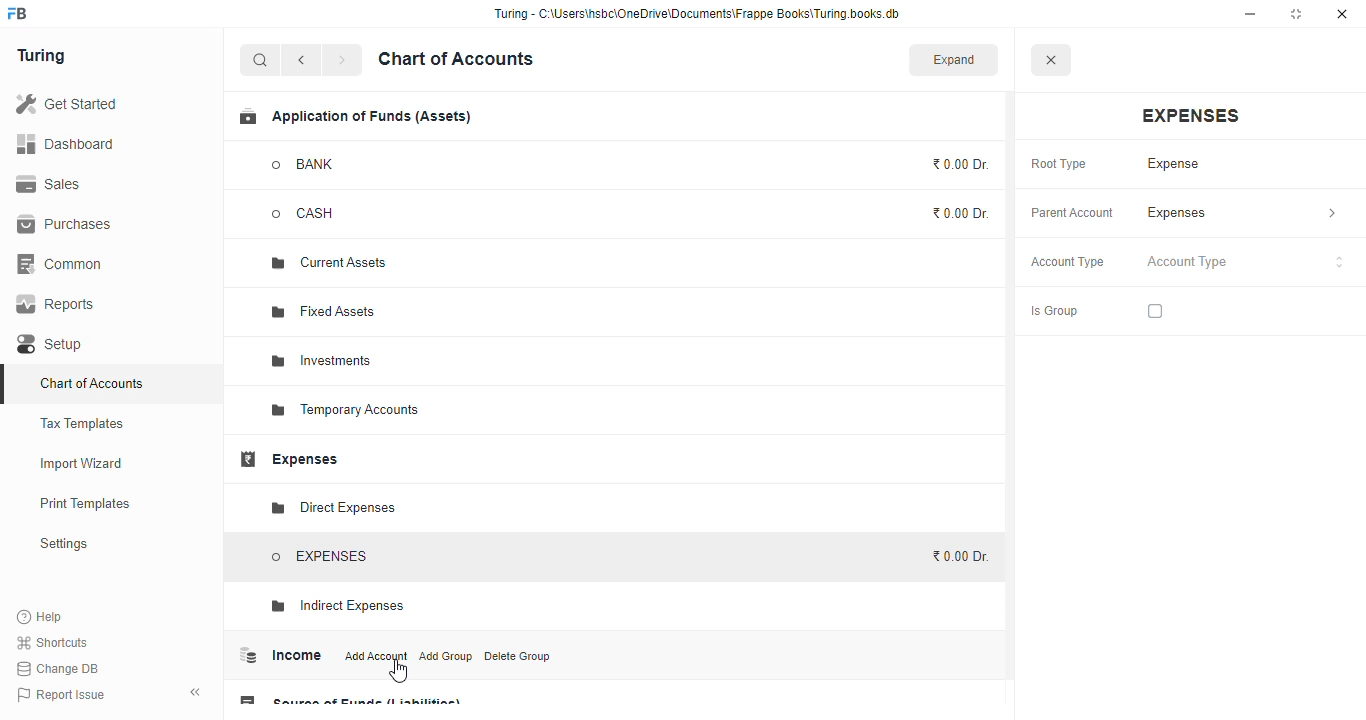  What do you see at coordinates (321, 361) in the screenshot?
I see `investments` at bounding box center [321, 361].